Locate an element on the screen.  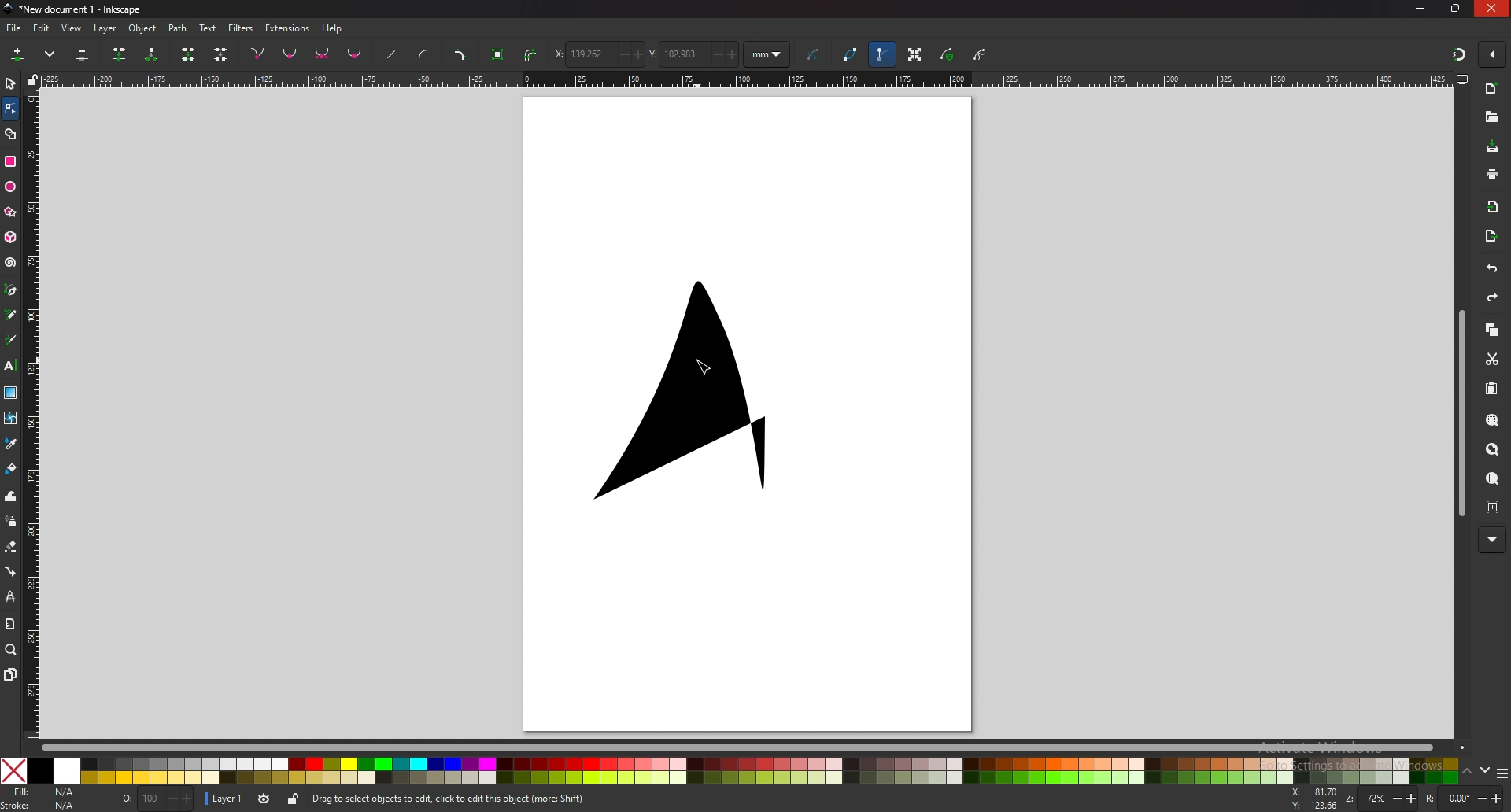
zoom selection is located at coordinates (1493, 420).